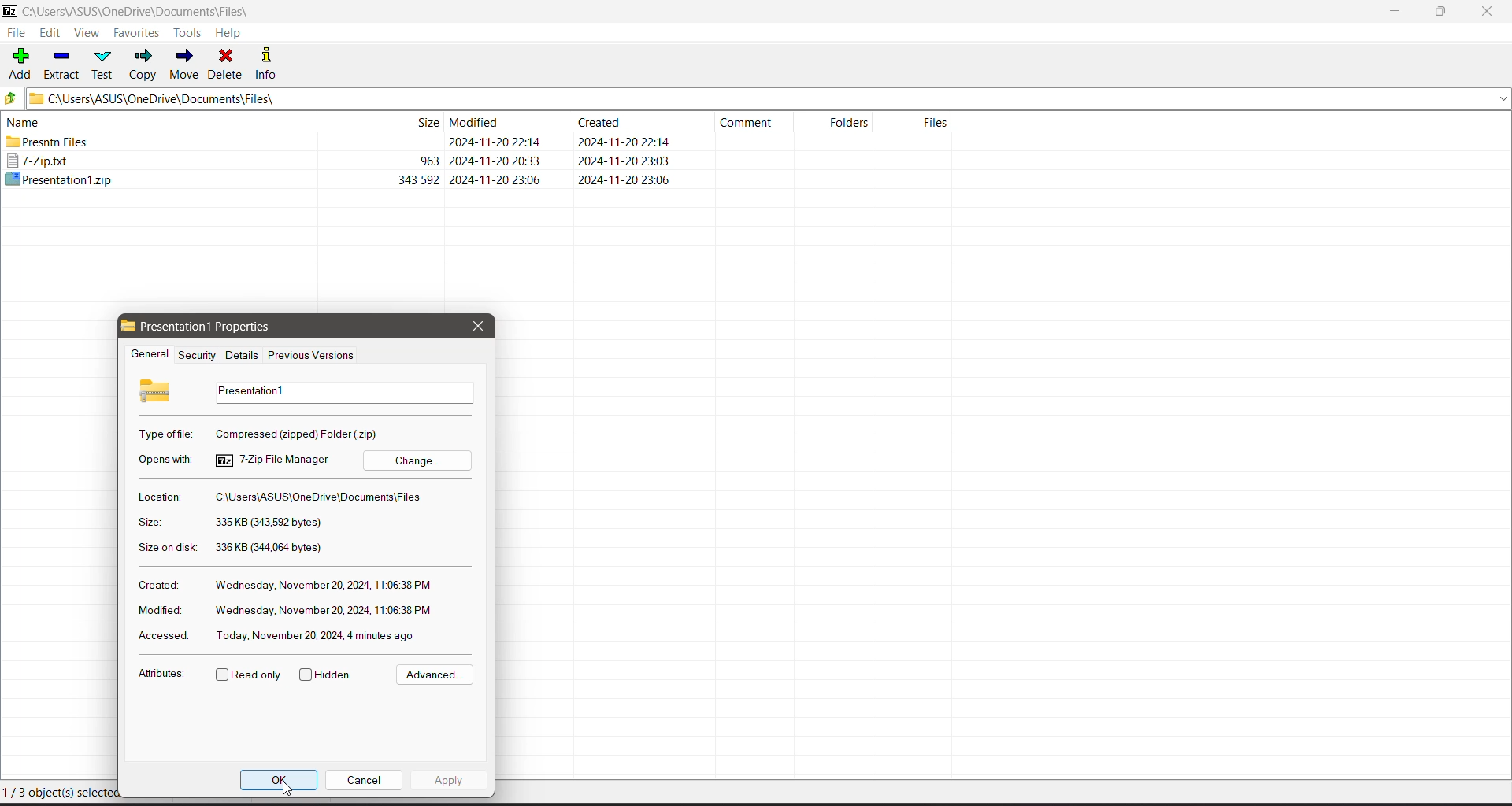 Image resolution: width=1512 pixels, height=806 pixels. Describe the element at coordinates (167, 460) in the screenshot. I see `Opens with` at that location.